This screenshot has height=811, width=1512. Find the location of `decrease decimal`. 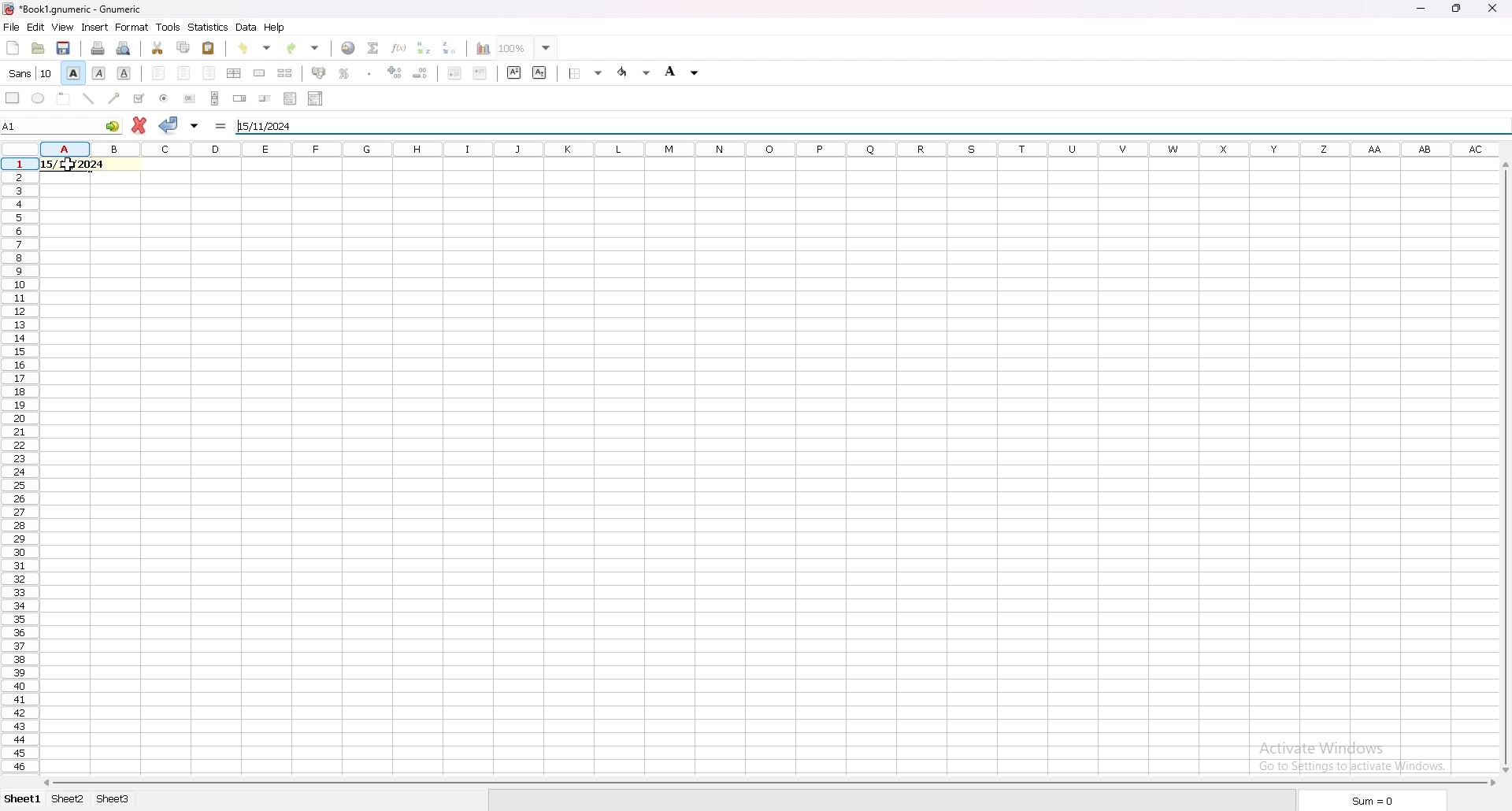

decrease decimal is located at coordinates (420, 72).